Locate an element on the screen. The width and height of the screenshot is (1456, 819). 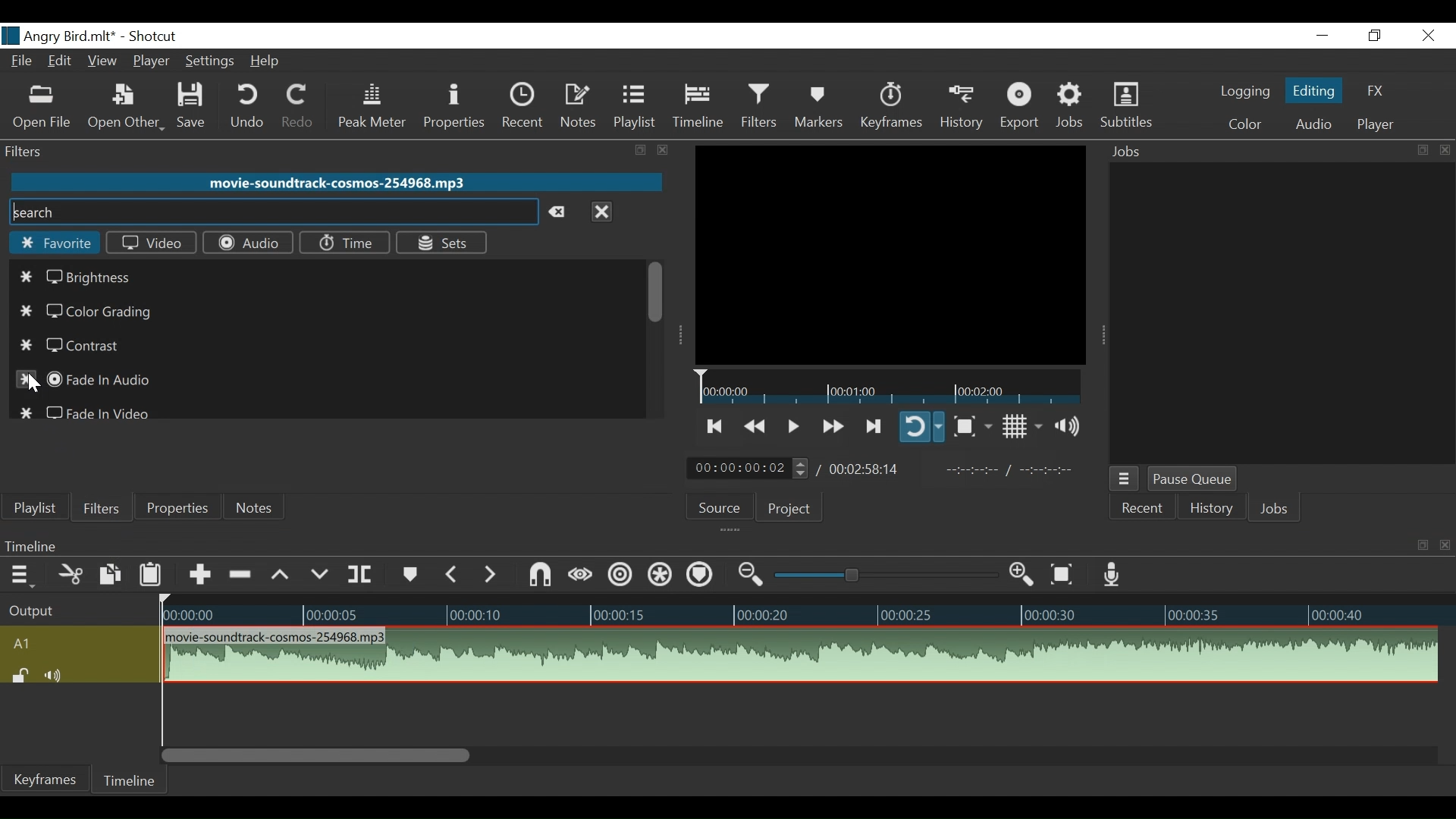
Edit is located at coordinates (61, 63).